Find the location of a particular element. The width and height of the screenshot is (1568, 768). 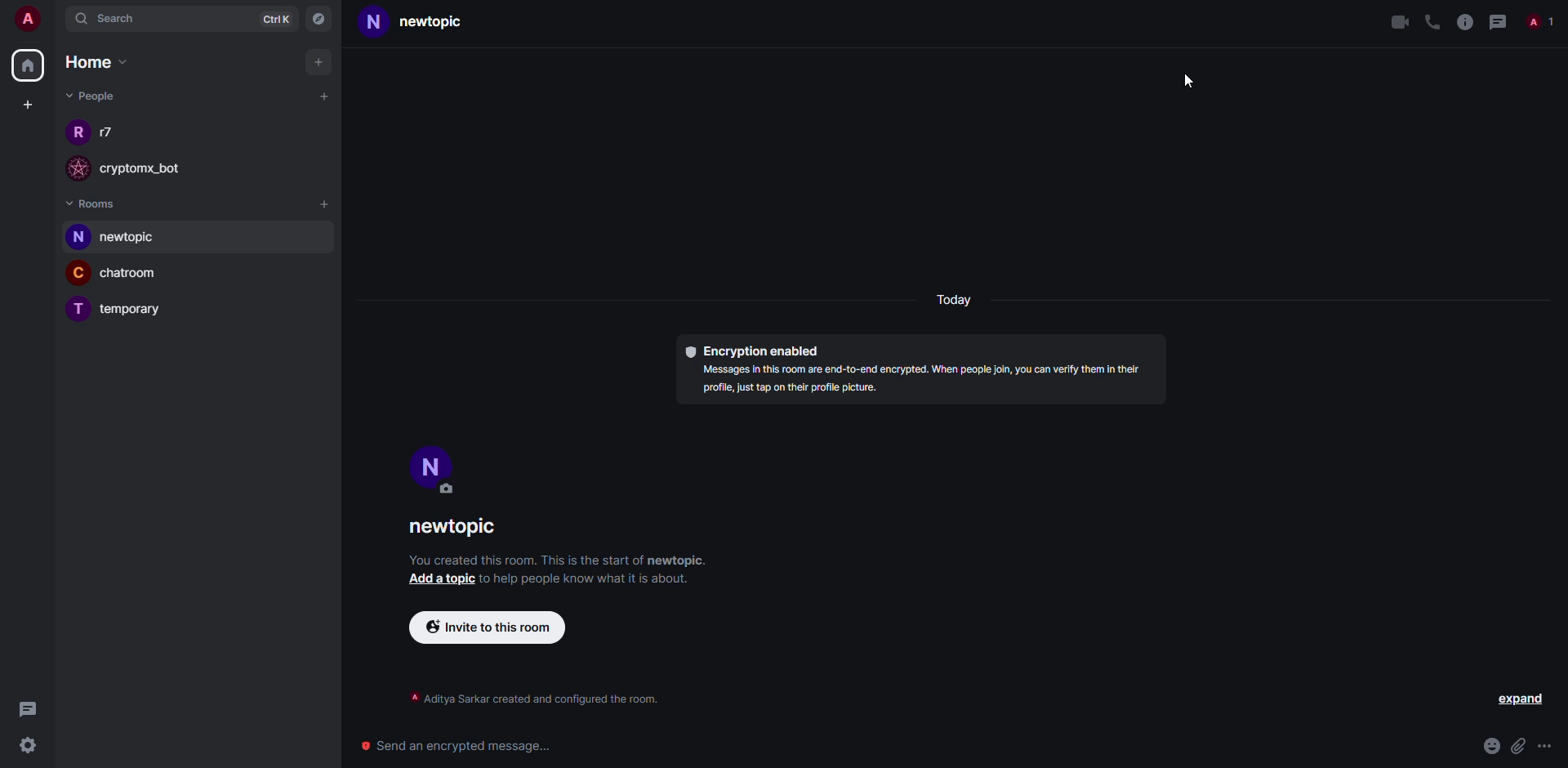

profile image is located at coordinates (75, 238).